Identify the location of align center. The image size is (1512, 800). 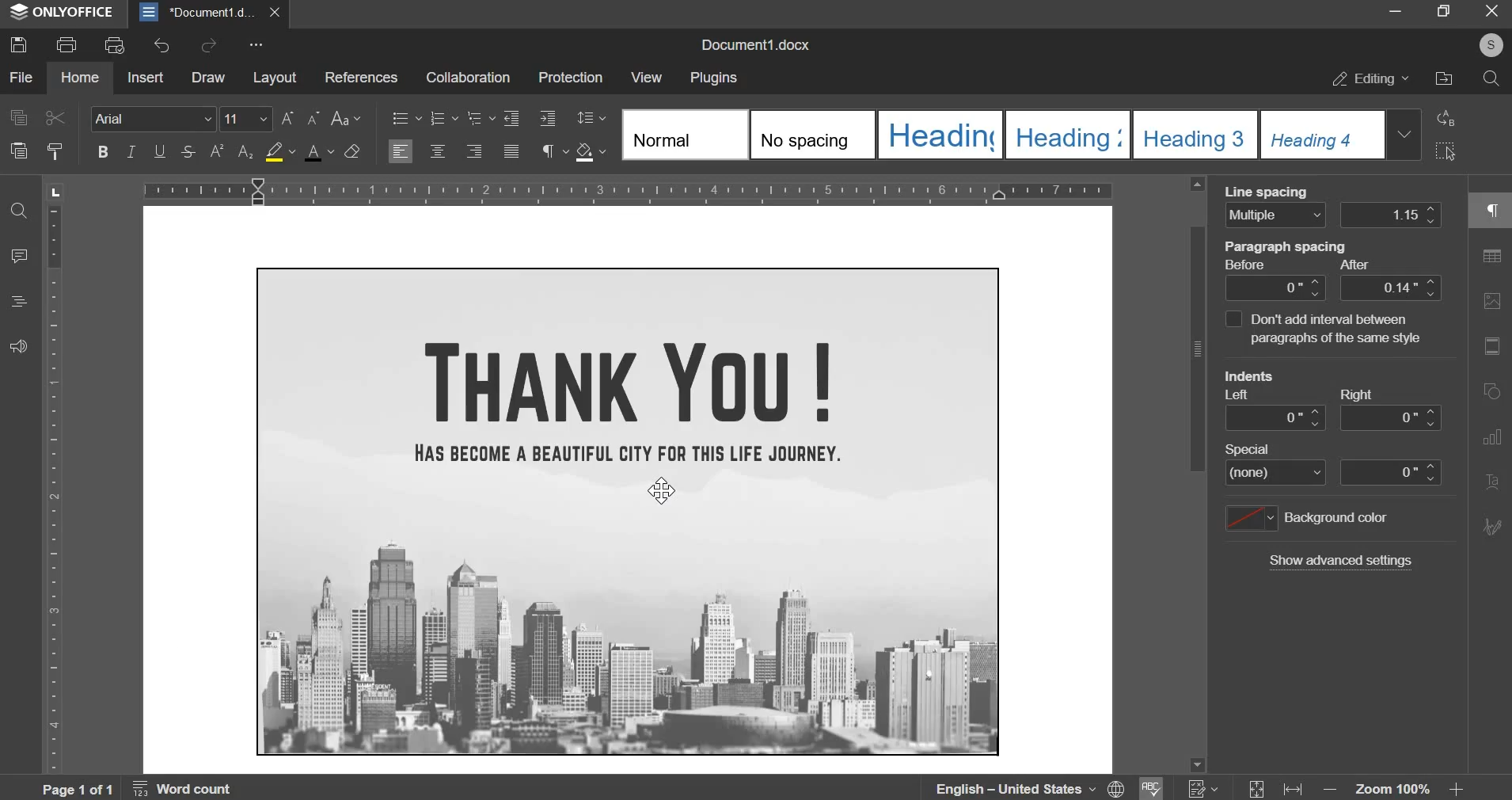
(438, 150).